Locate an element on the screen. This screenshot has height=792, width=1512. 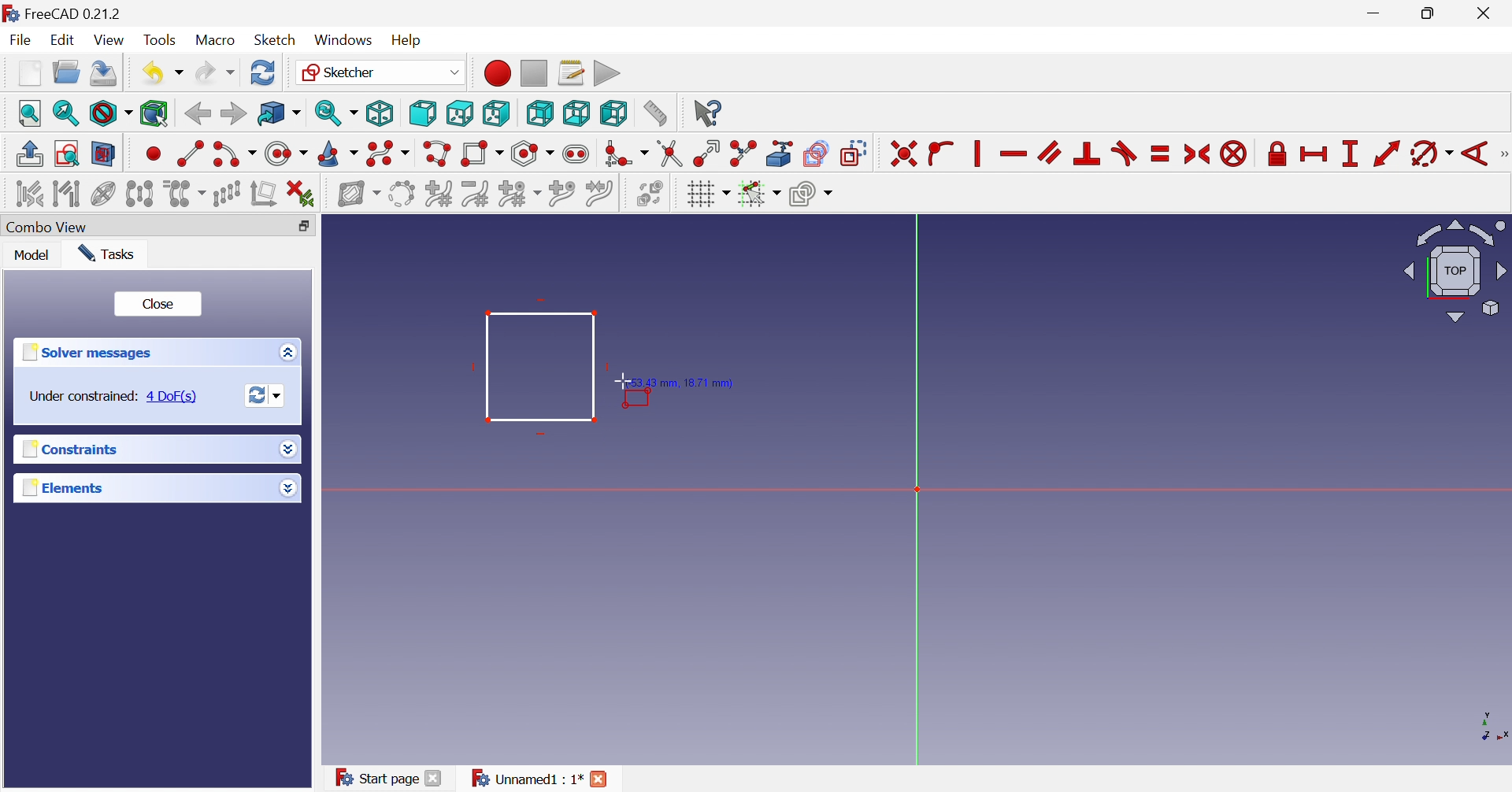
Constrain distance is located at coordinates (1385, 154).